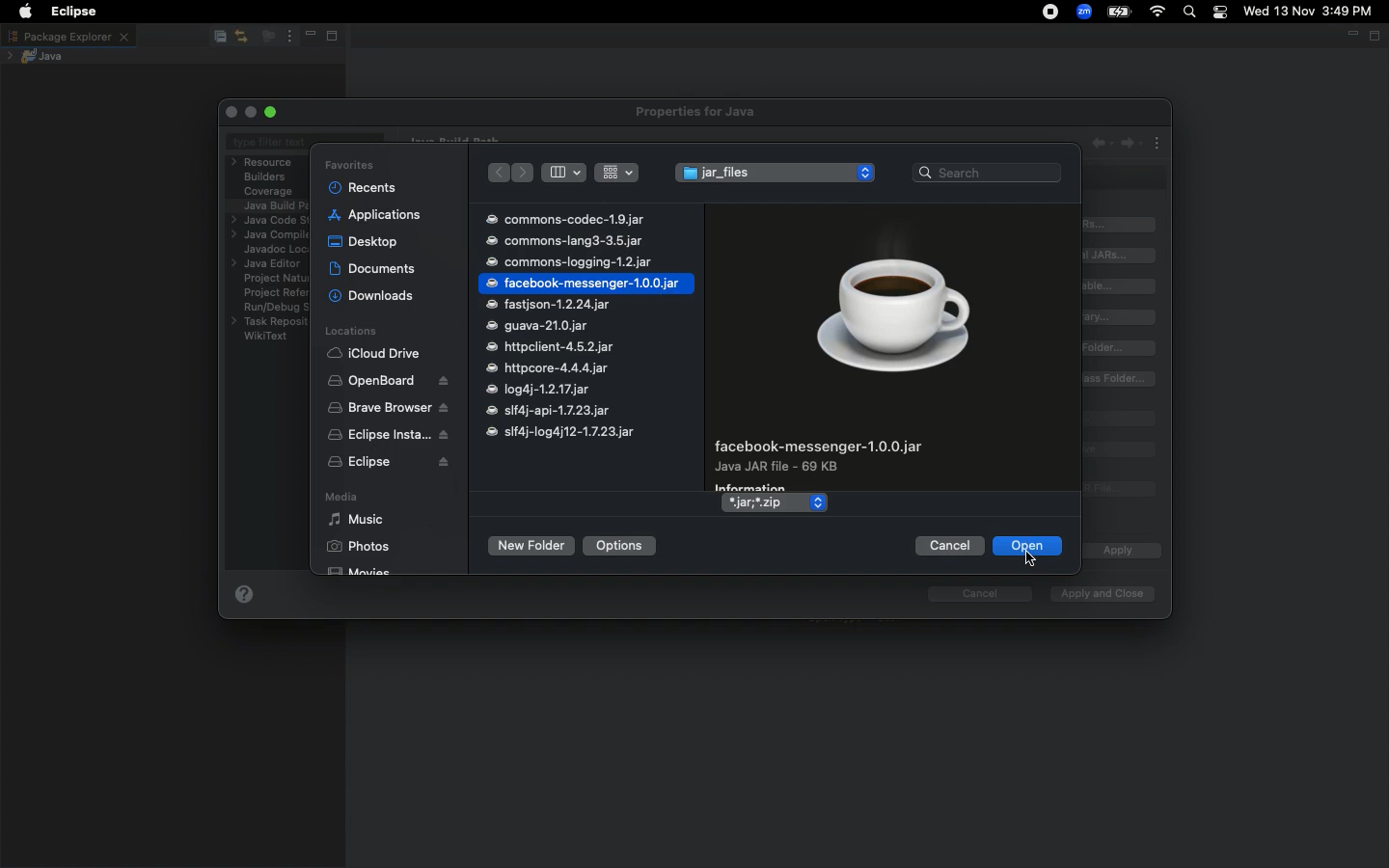  What do you see at coordinates (1376, 37) in the screenshot?
I see `Maximize` at bounding box center [1376, 37].